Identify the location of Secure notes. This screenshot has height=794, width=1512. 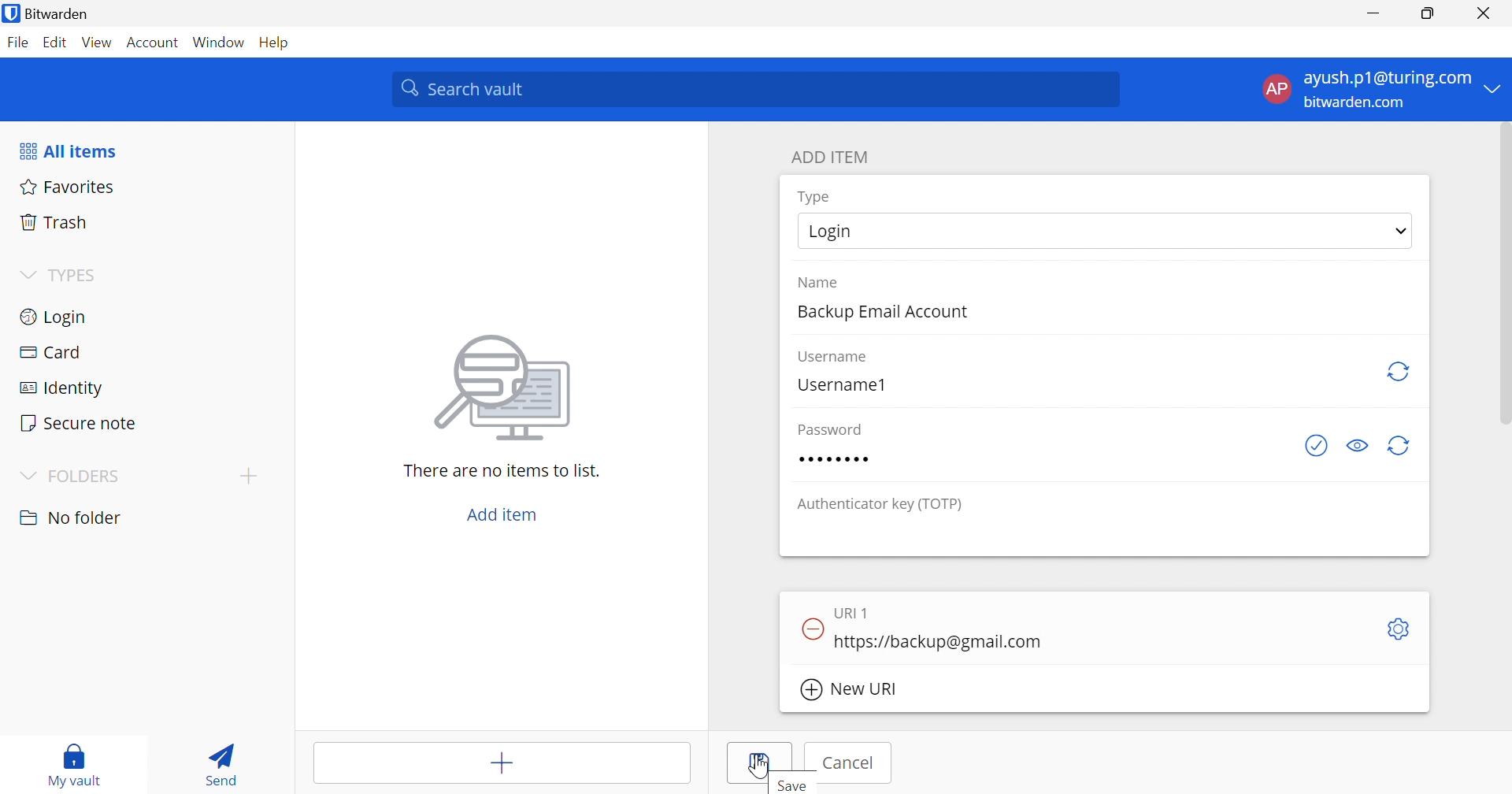
(80, 423).